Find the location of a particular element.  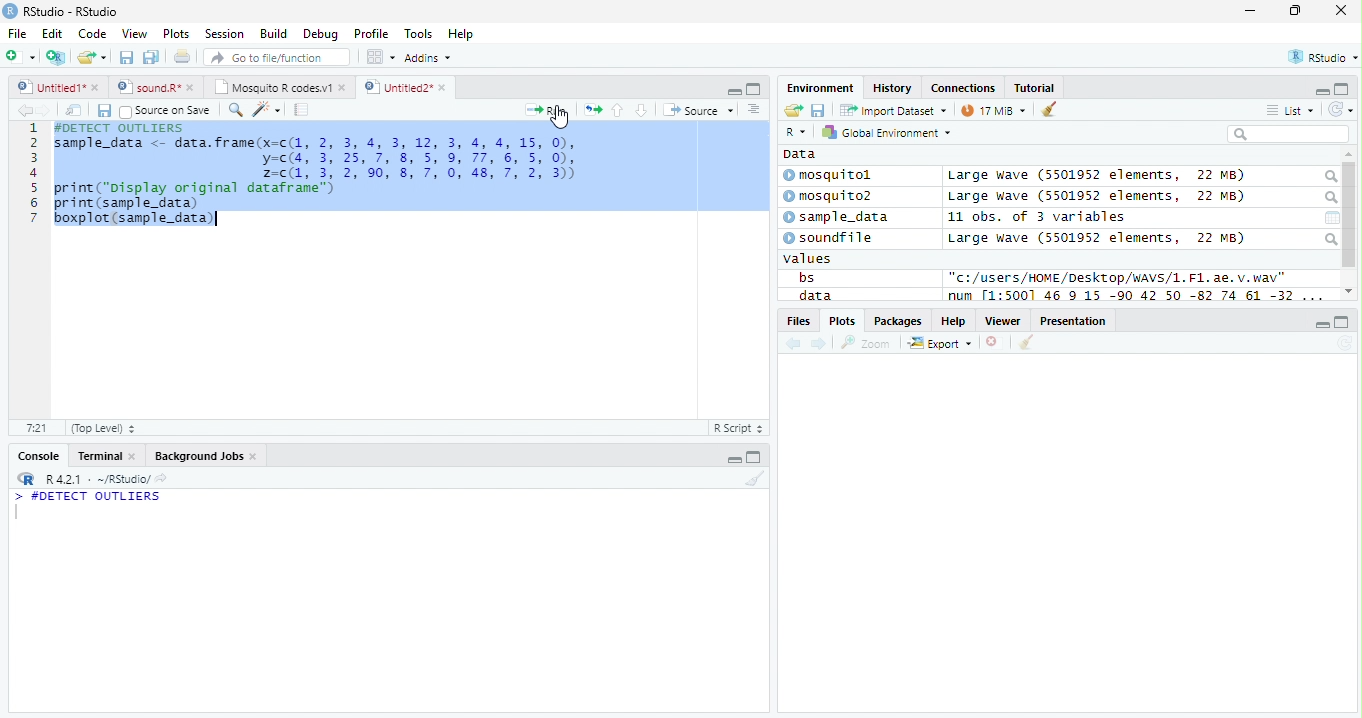

search is located at coordinates (1330, 239).